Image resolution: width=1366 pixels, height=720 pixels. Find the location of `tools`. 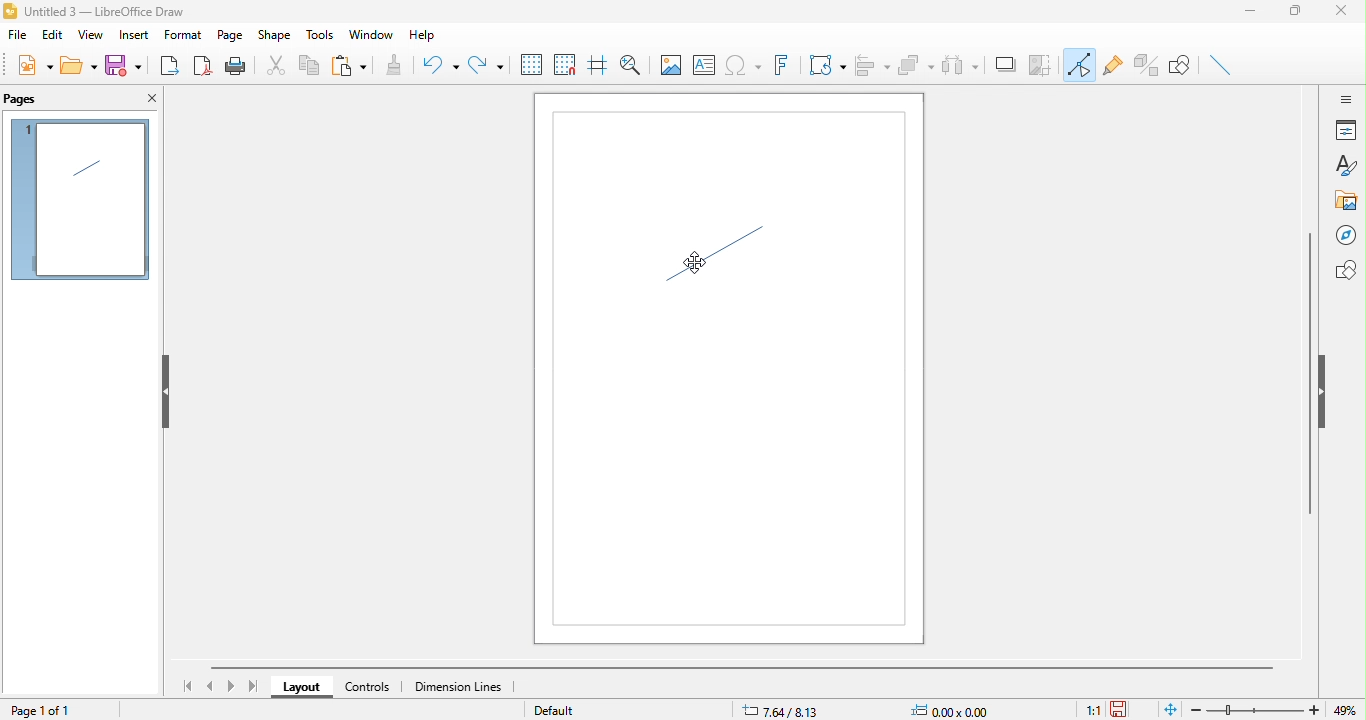

tools is located at coordinates (315, 34).